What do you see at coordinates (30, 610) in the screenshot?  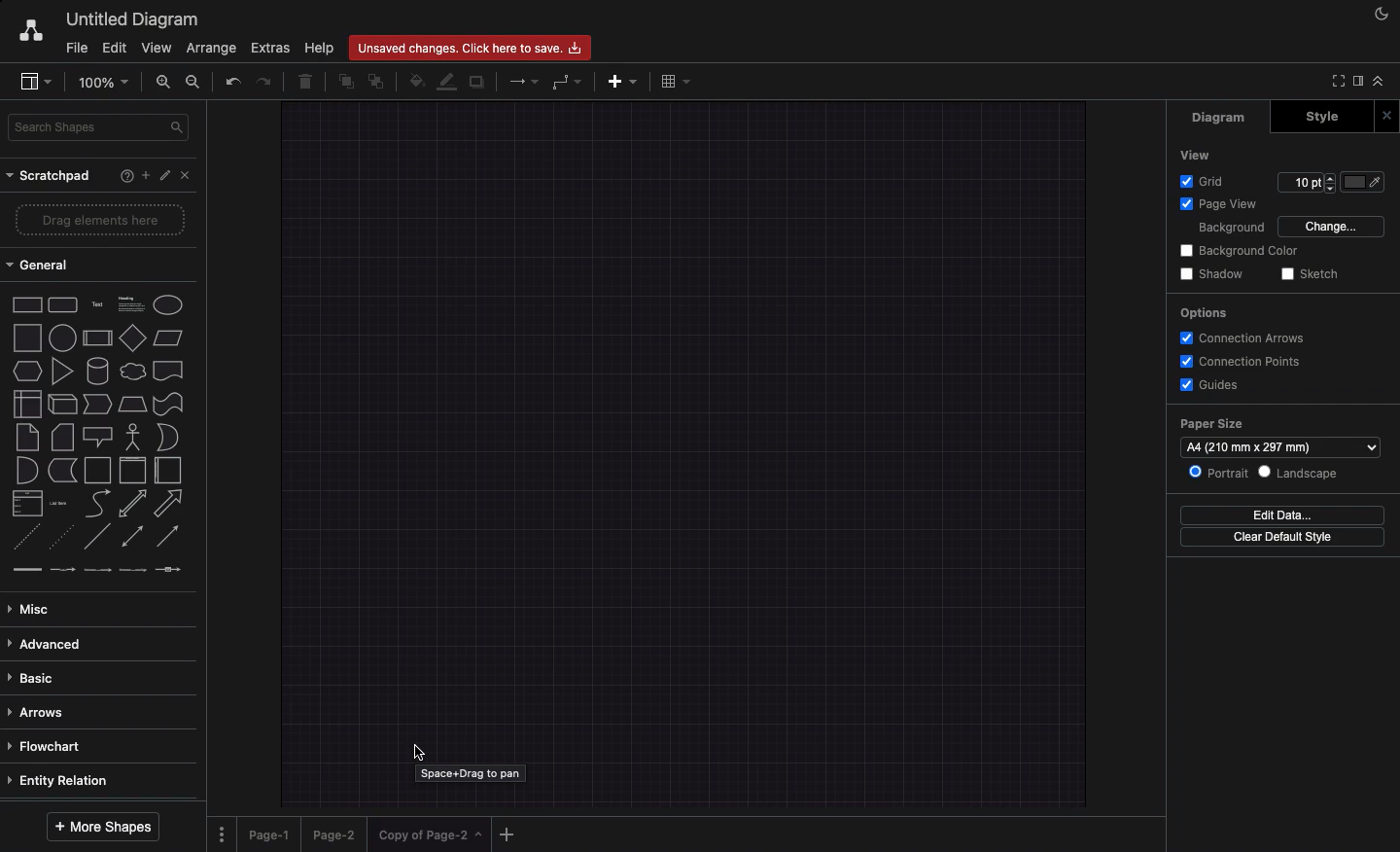 I see `Misc` at bounding box center [30, 610].